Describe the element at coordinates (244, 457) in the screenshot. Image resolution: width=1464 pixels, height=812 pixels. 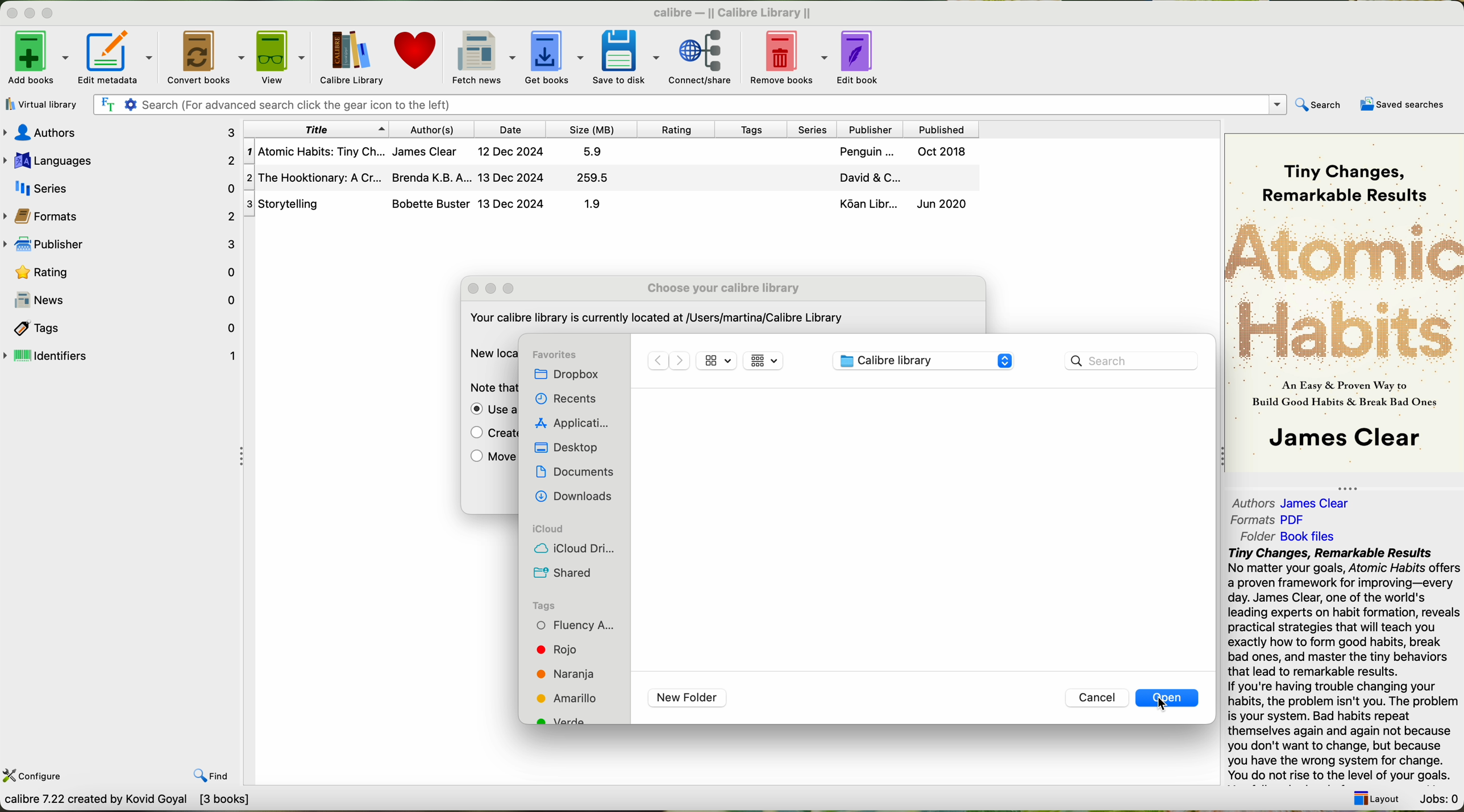
I see `Collapse` at that location.